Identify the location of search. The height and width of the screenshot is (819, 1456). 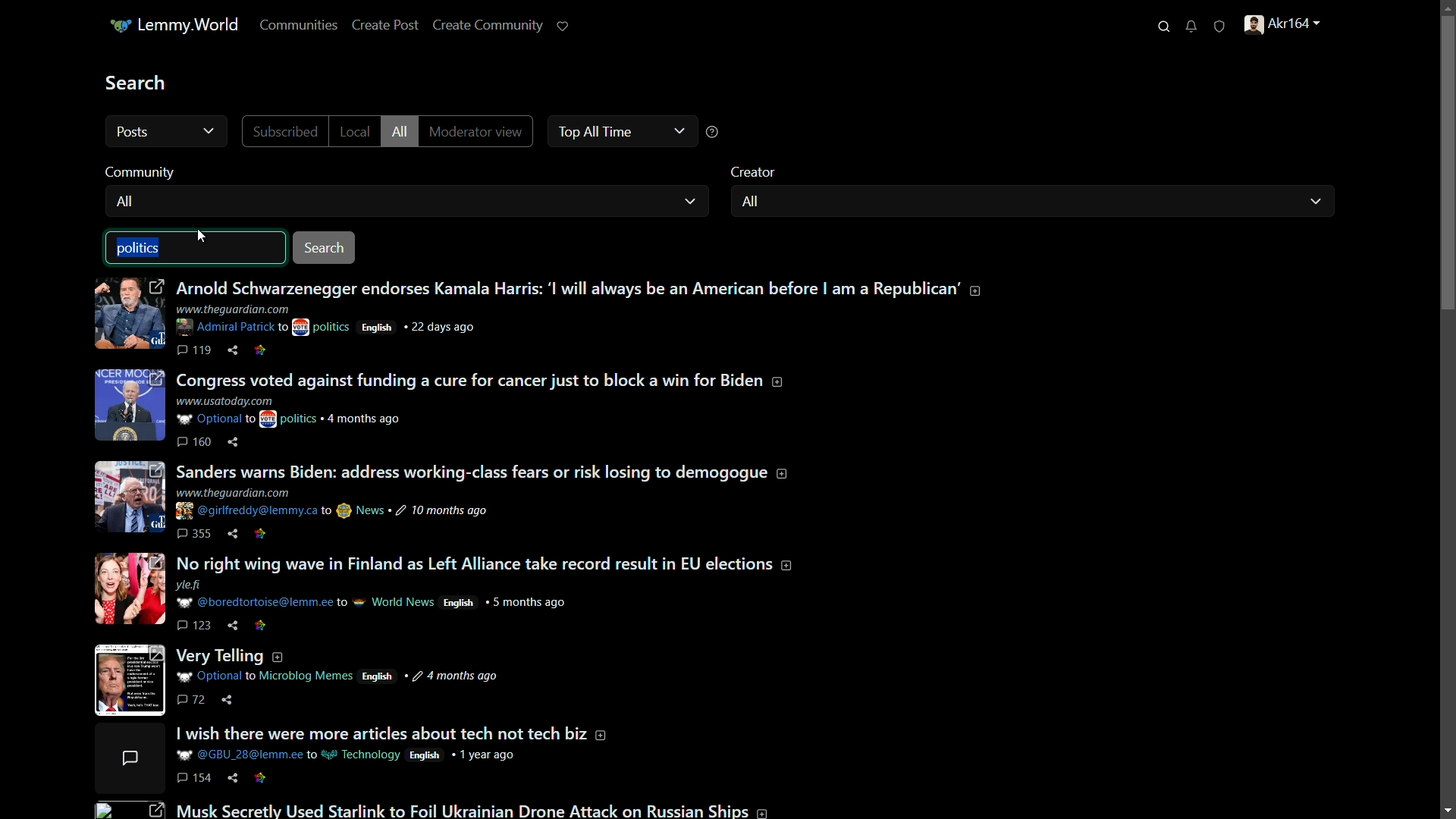
(138, 82).